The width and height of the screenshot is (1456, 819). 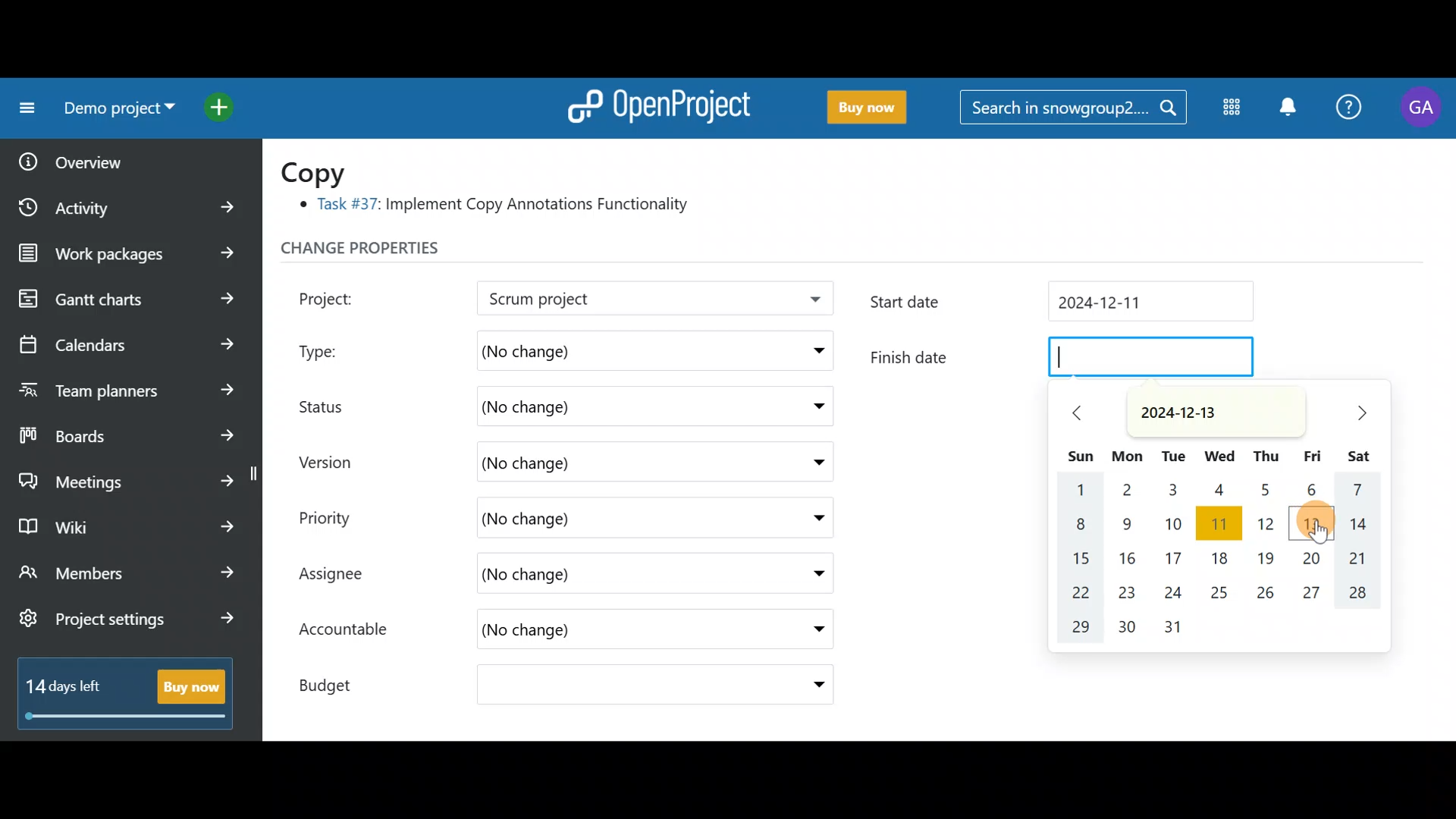 I want to click on Project settings, so click(x=127, y=626).